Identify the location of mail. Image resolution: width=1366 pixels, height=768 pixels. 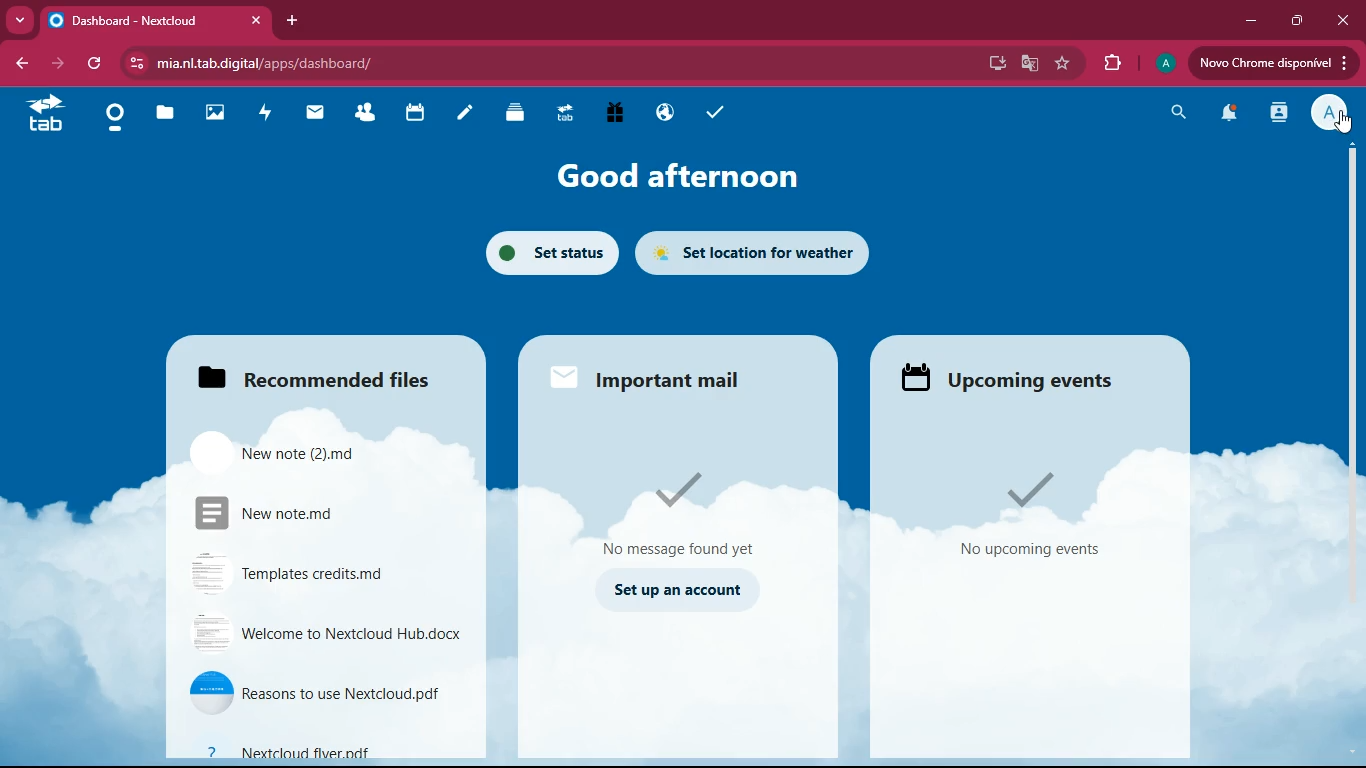
(311, 115).